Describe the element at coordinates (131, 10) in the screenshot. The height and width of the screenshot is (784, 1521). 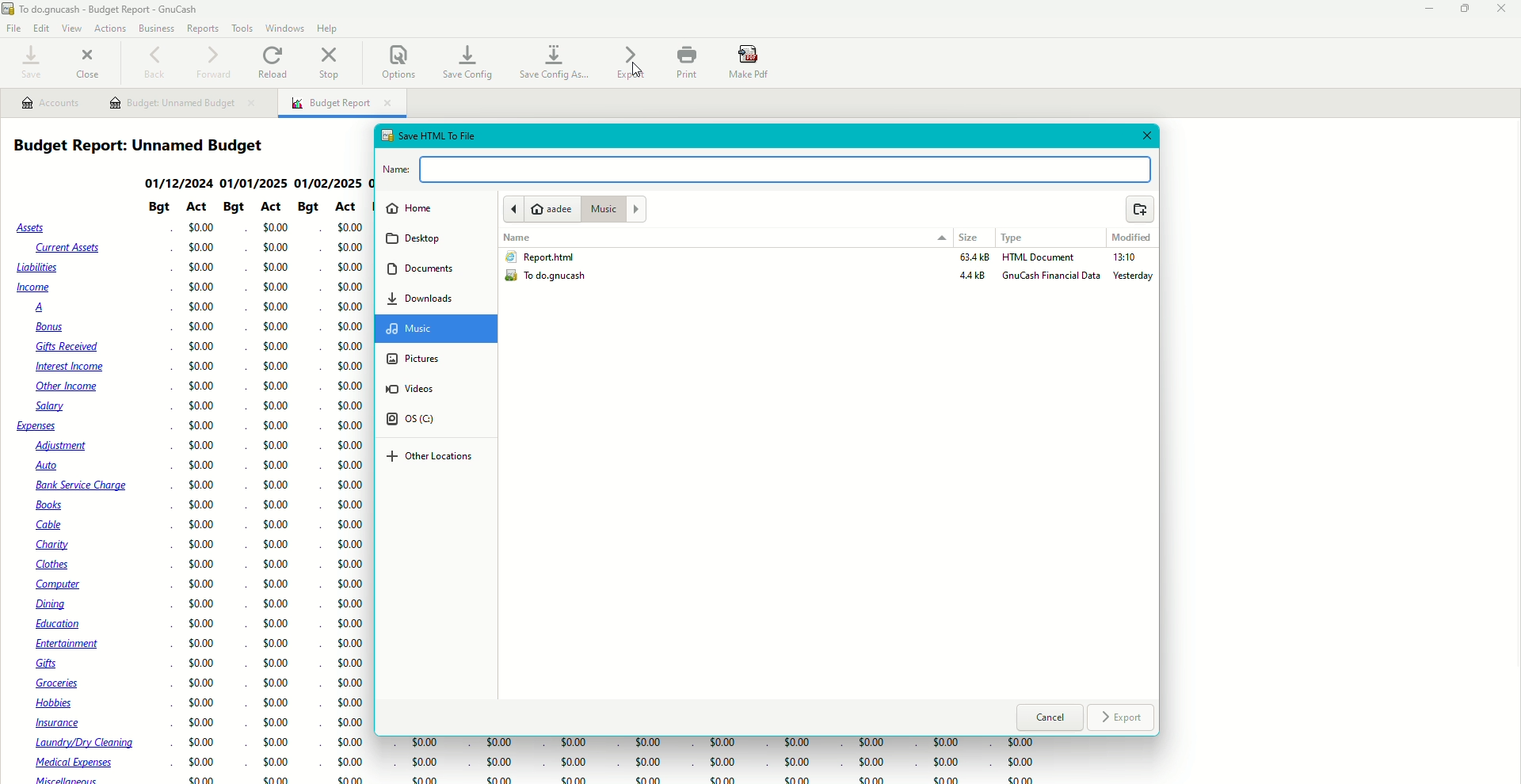
I see `todo.gnucash - budget: unnamed budget - gnucash` at that location.